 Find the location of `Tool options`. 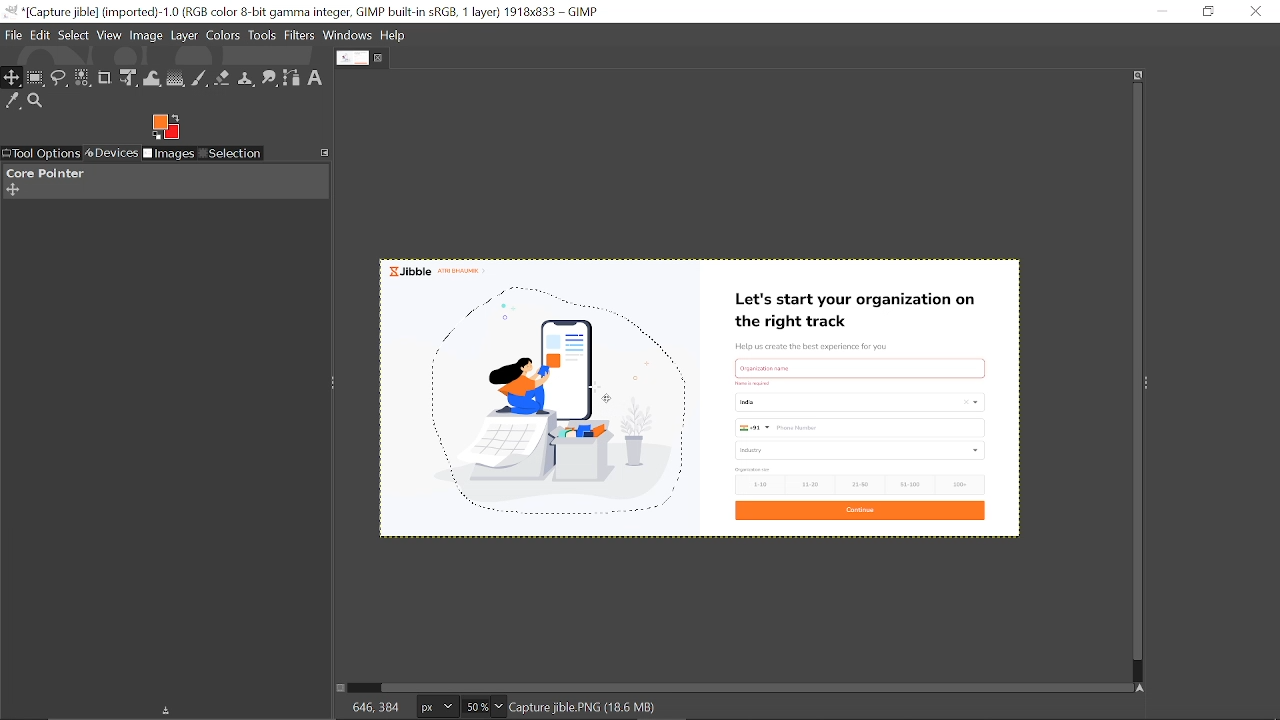

Tool options is located at coordinates (40, 154).